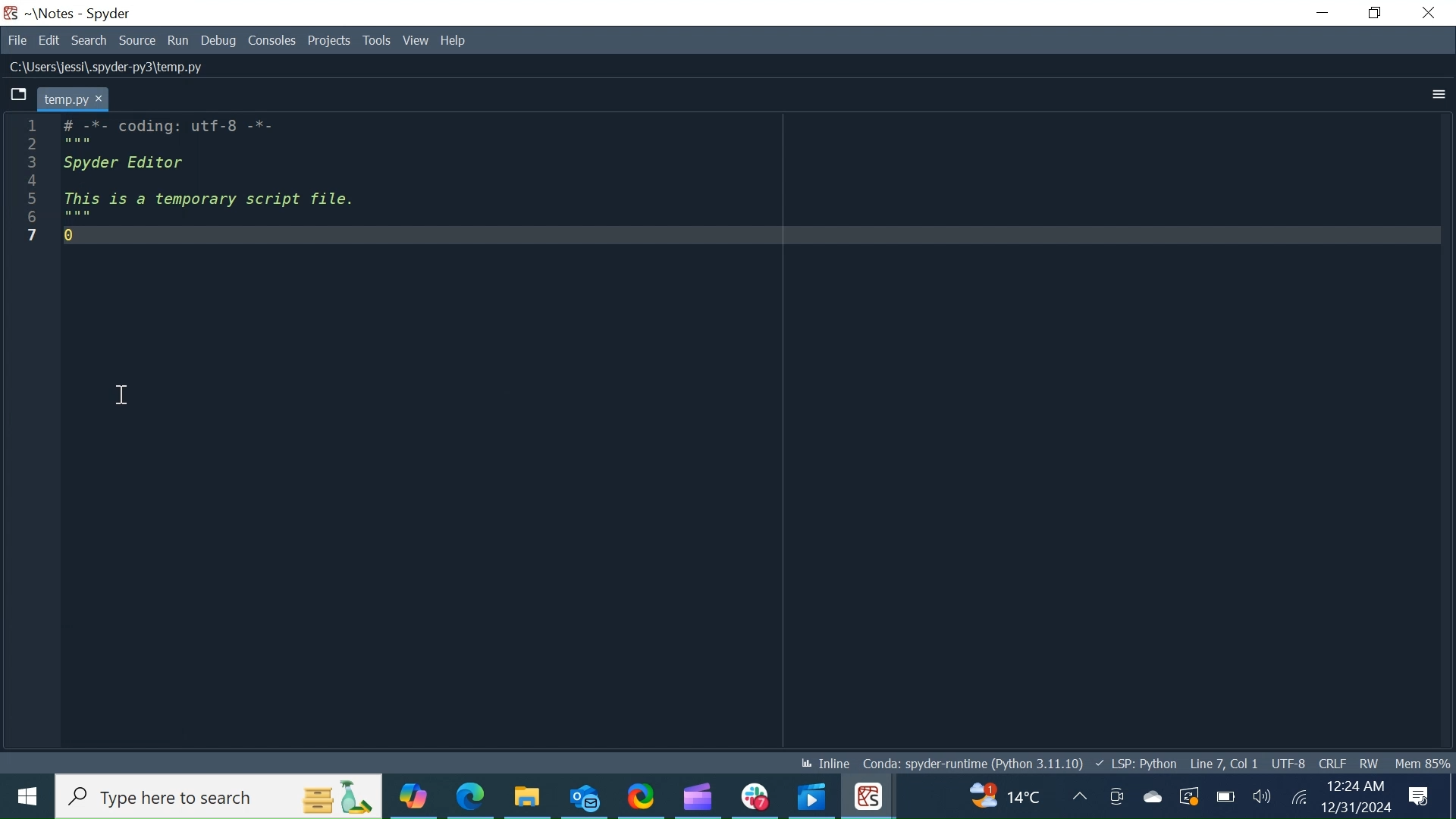 This screenshot has width=1456, height=819. Describe the element at coordinates (1439, 96) in the screenshot. I see `More Options` at that location.